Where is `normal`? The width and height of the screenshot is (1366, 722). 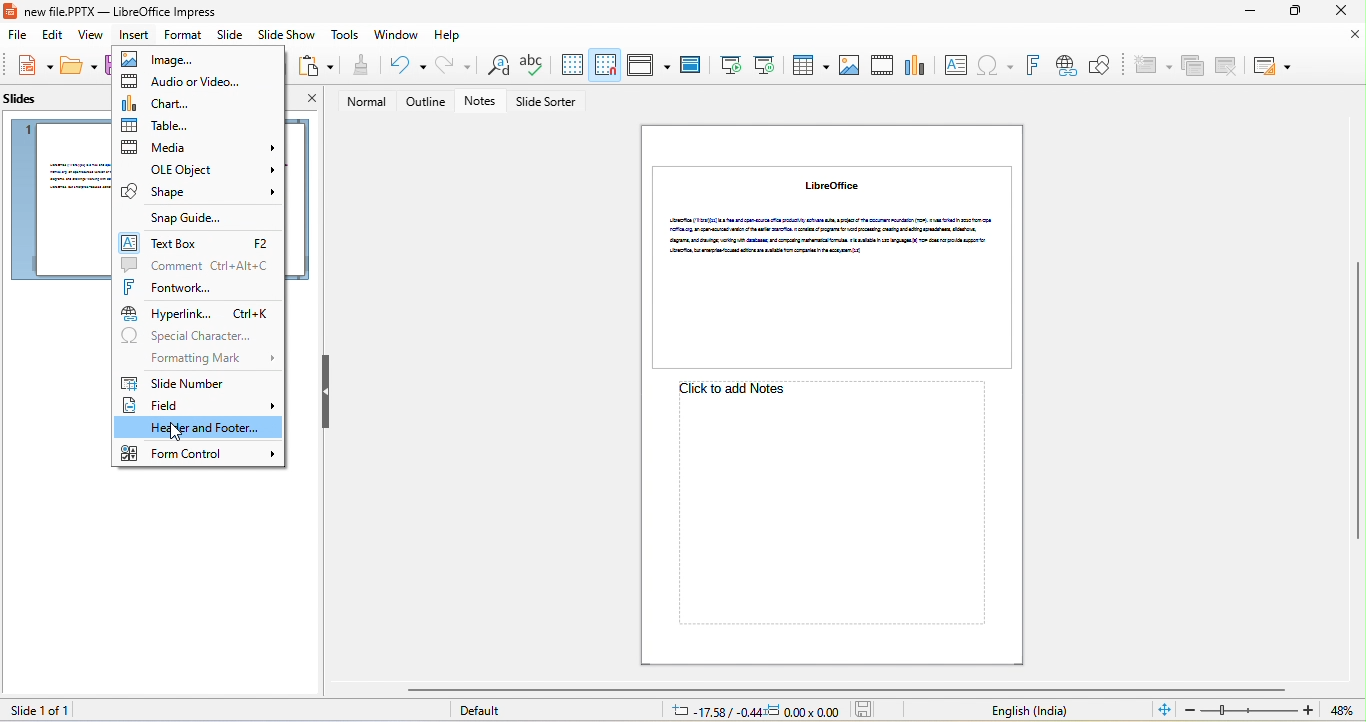
normal is located at coordinates (361, 102).